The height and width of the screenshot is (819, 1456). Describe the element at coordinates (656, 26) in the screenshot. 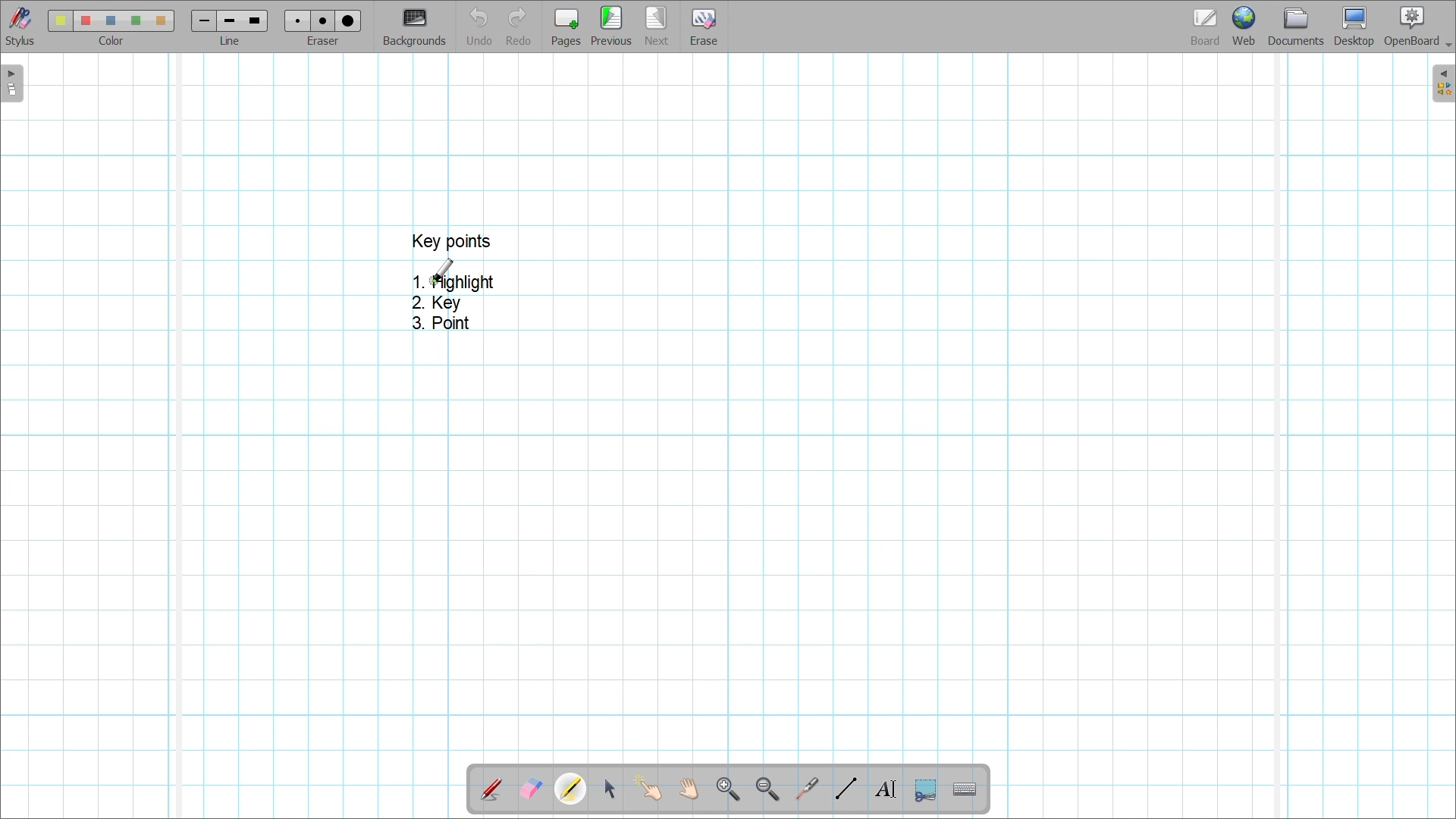

I see `Go to next page` at that location.